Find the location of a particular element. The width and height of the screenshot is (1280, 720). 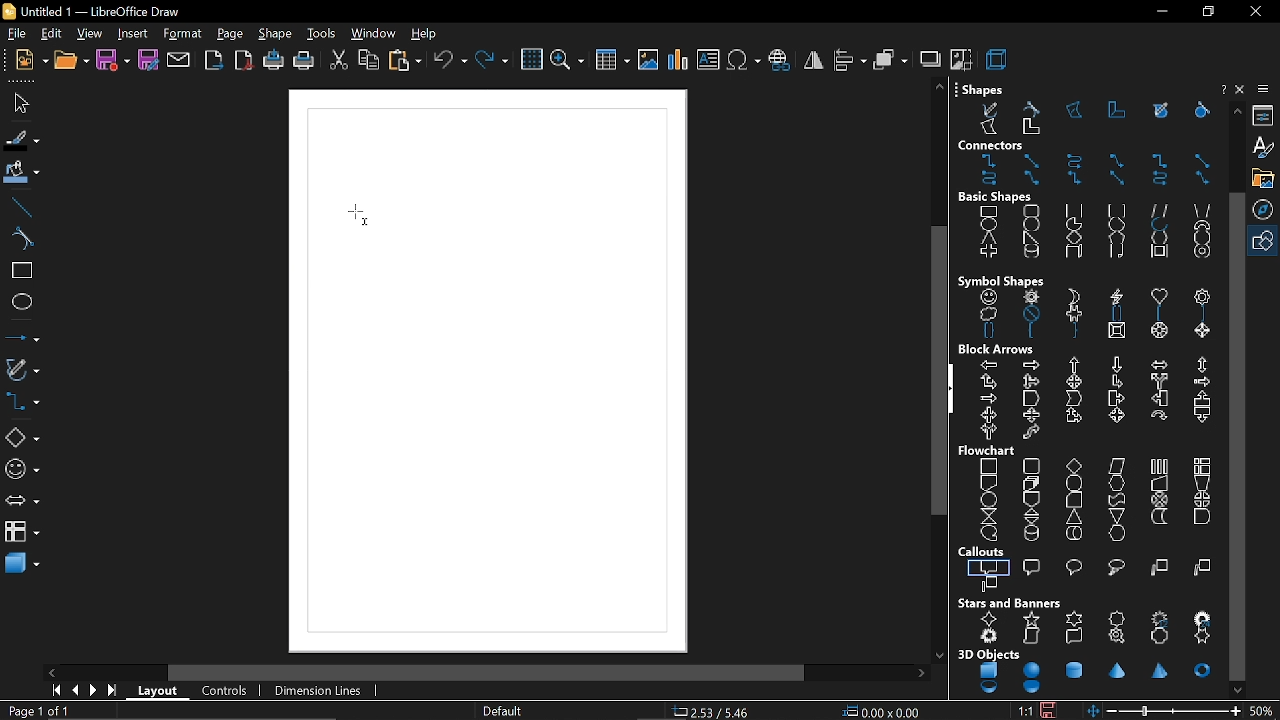

properties  is located at coordinates (1265, 117).